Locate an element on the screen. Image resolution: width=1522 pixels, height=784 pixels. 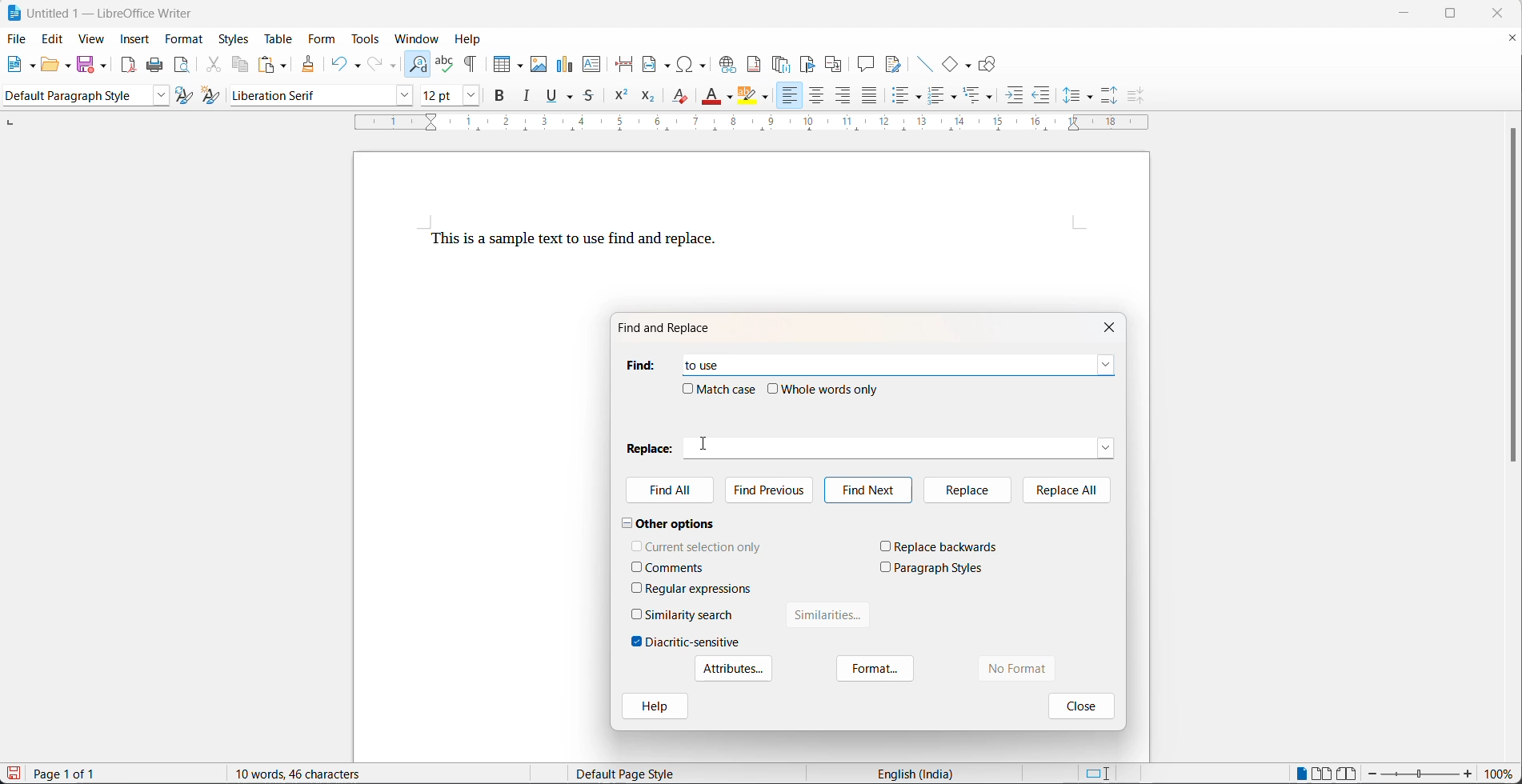
checkbox is located at coordinates (687, 388).